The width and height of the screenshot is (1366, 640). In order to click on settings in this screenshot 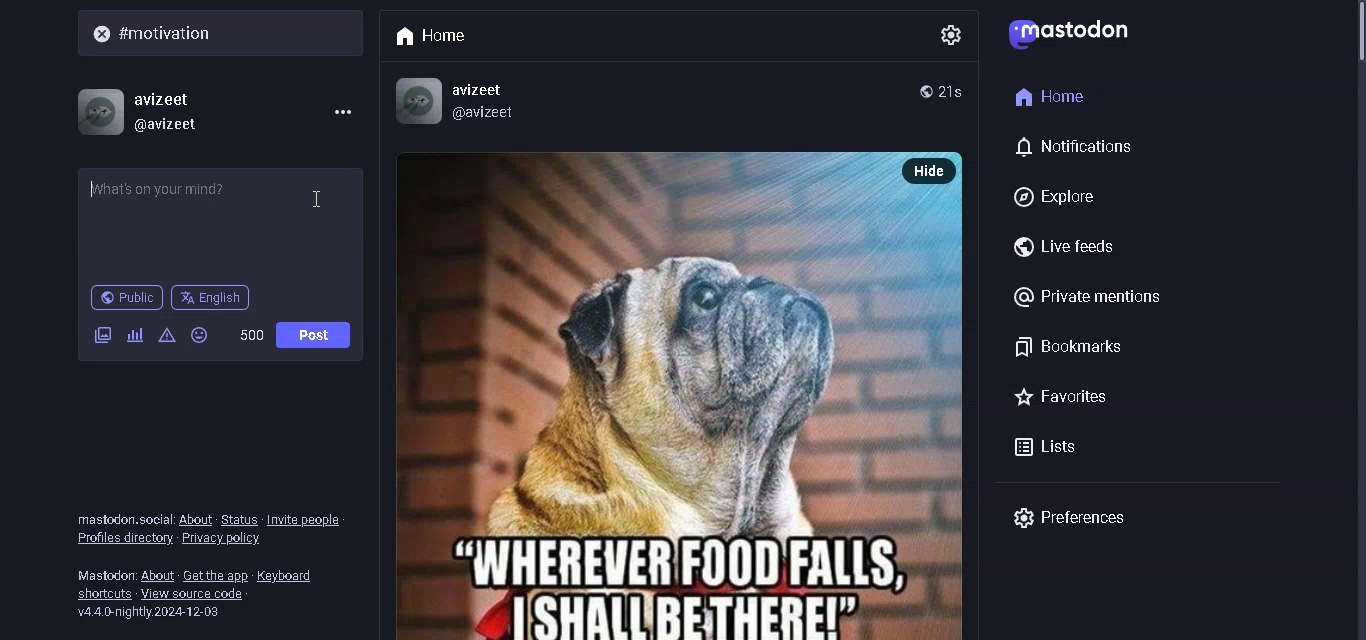, I will do `click(948, 31)`.